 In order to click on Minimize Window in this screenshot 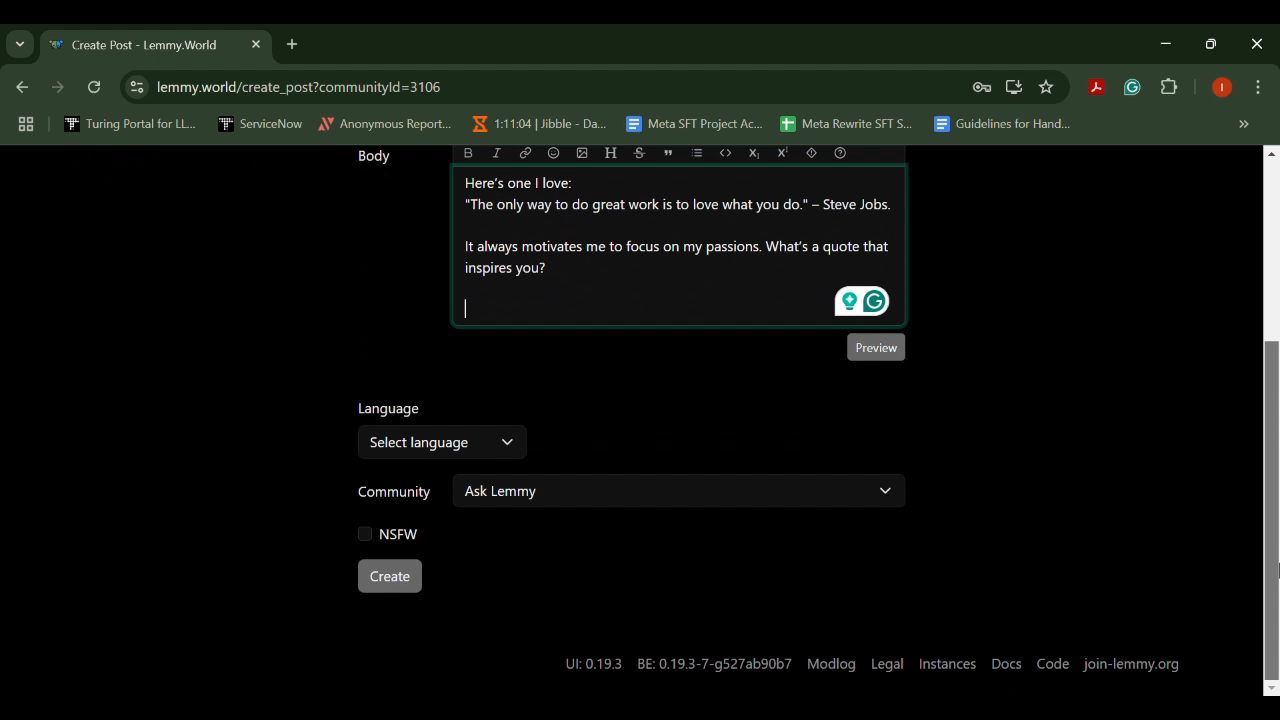, I will do `click(1214, 43)`.